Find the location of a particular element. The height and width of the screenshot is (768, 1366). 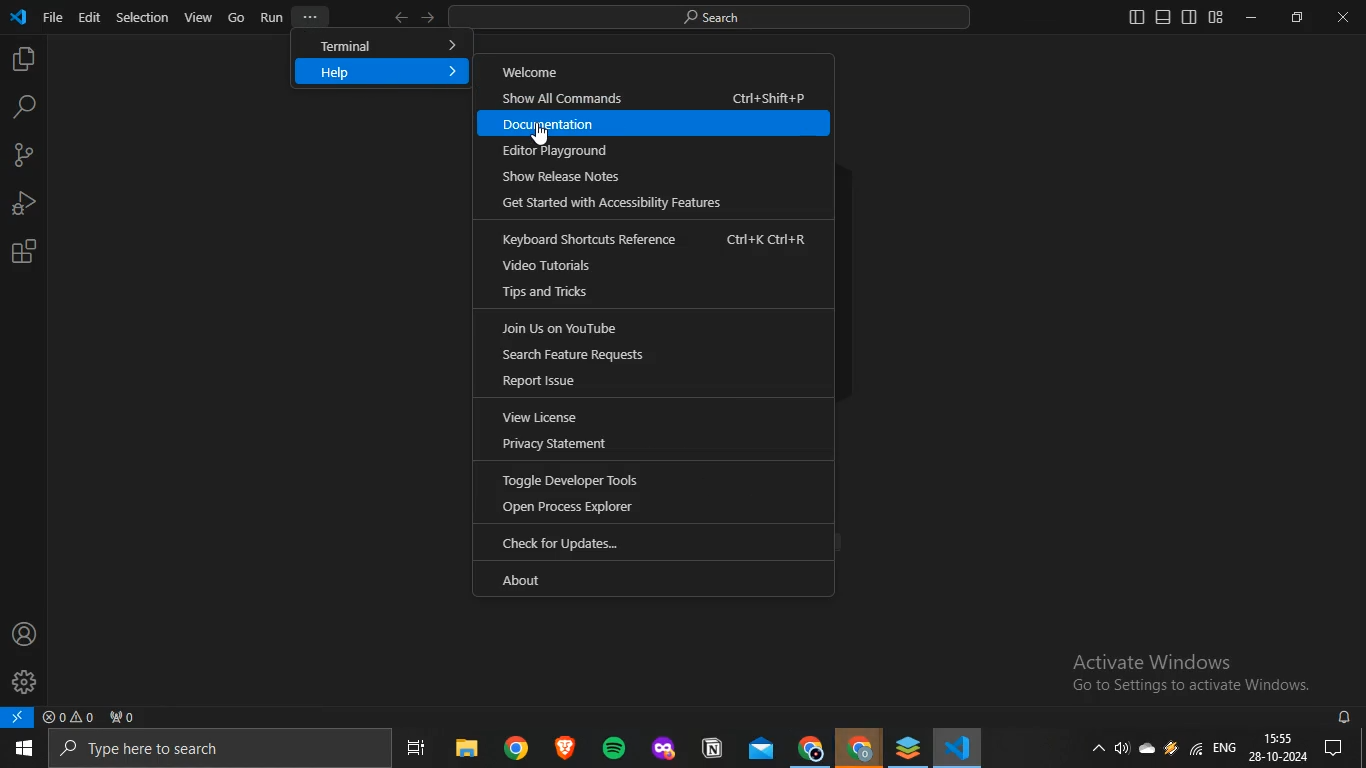

Show Release Notes is located at coordinates (611, 176).